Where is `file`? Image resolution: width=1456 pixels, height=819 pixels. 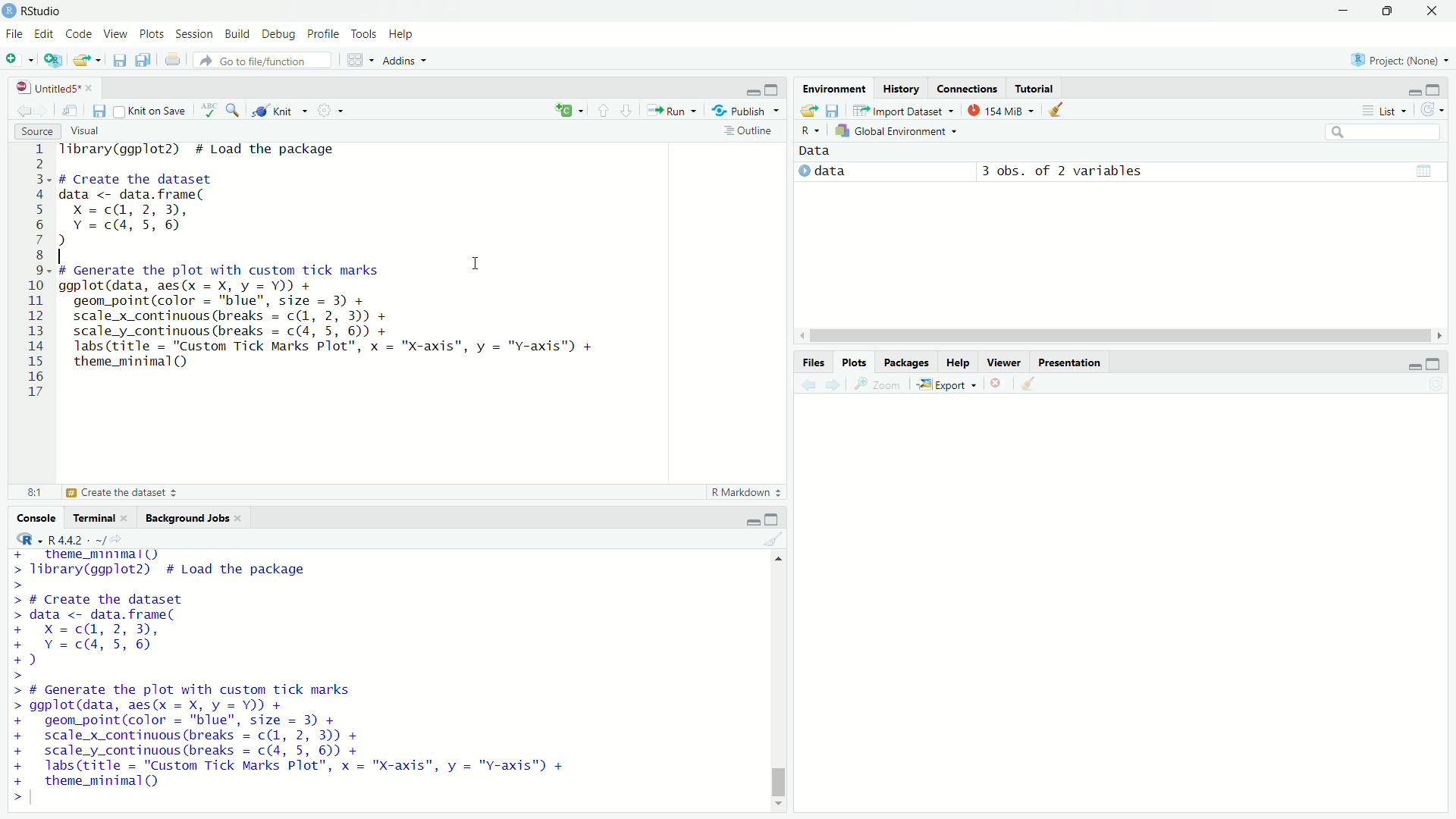
file is located at coordinates (14, 35).